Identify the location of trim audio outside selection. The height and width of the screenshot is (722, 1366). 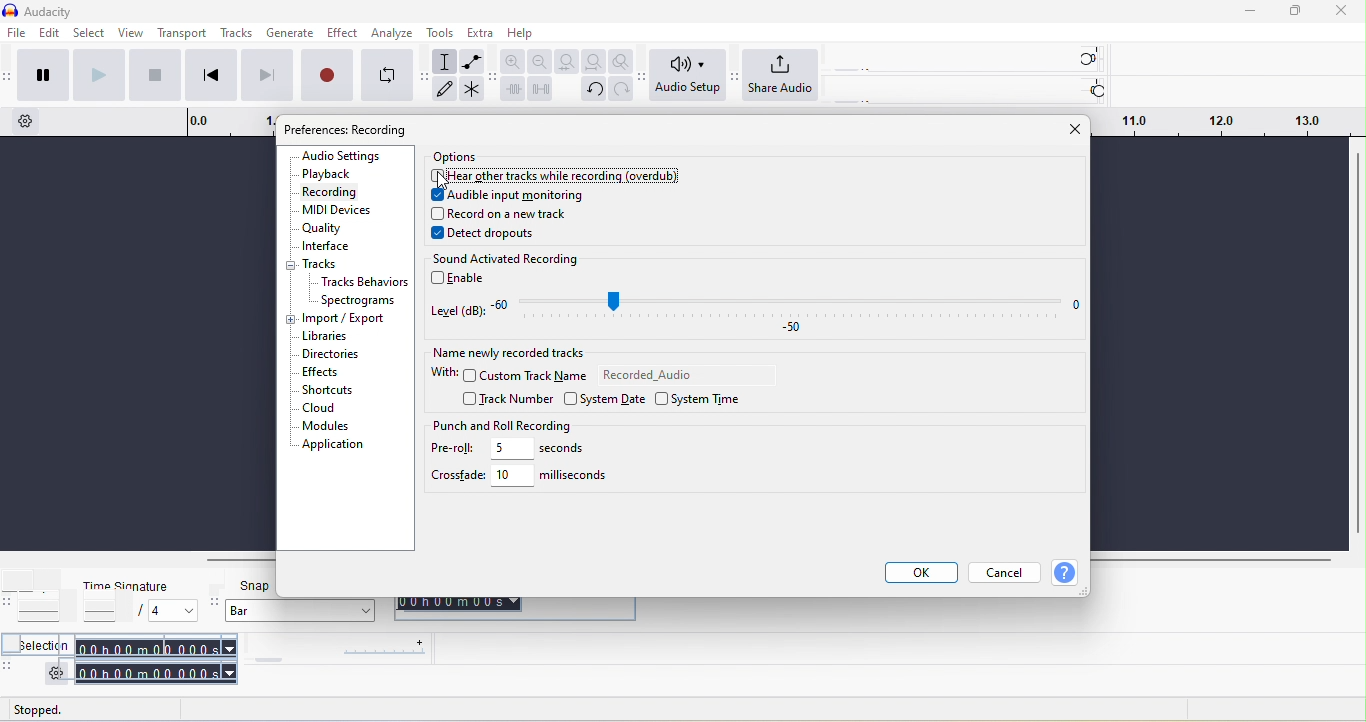
(514, 90).